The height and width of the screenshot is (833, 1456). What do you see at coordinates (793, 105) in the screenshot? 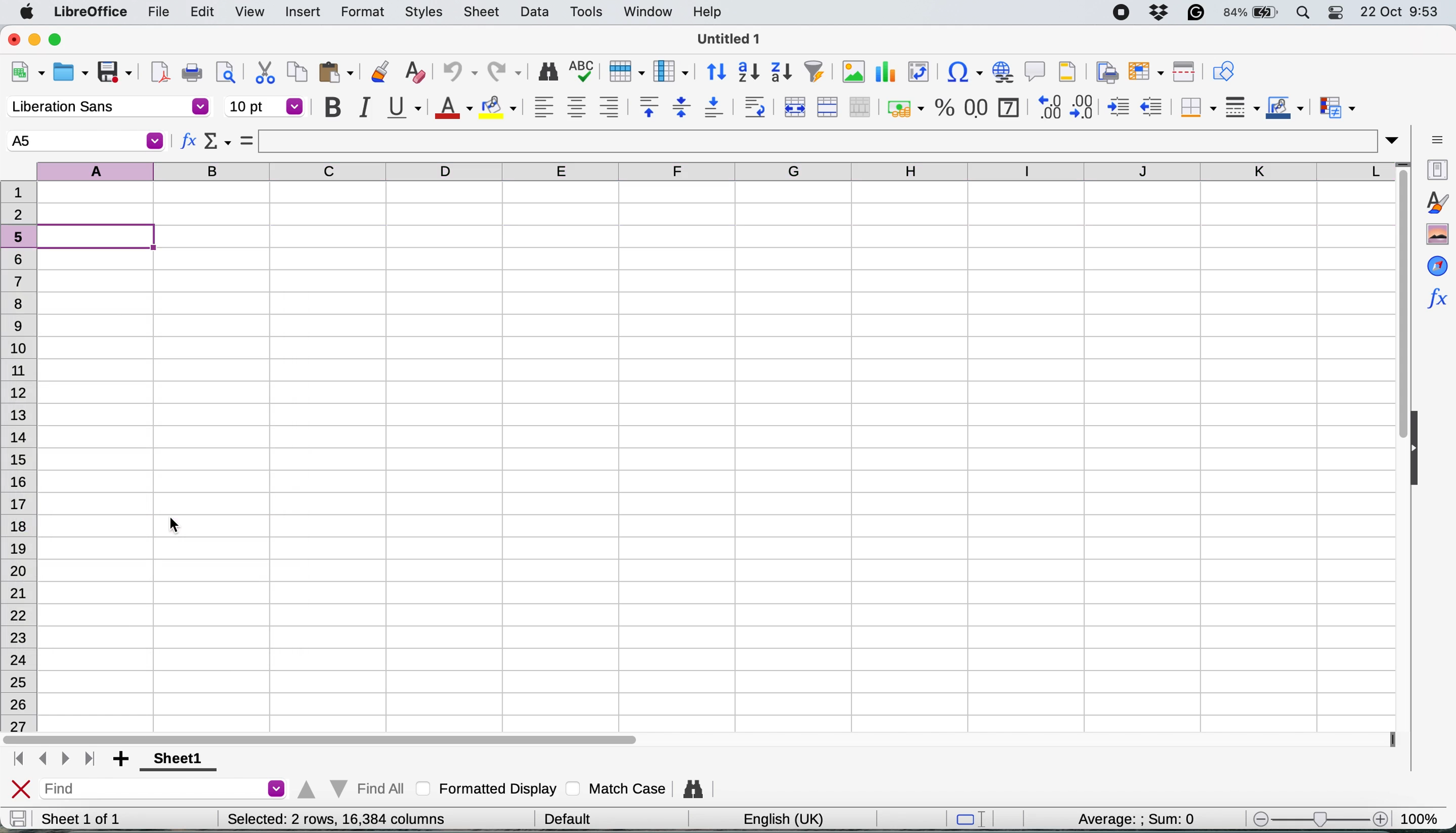
I see `merge and center or unmerge` at bounding box center [793, 105].